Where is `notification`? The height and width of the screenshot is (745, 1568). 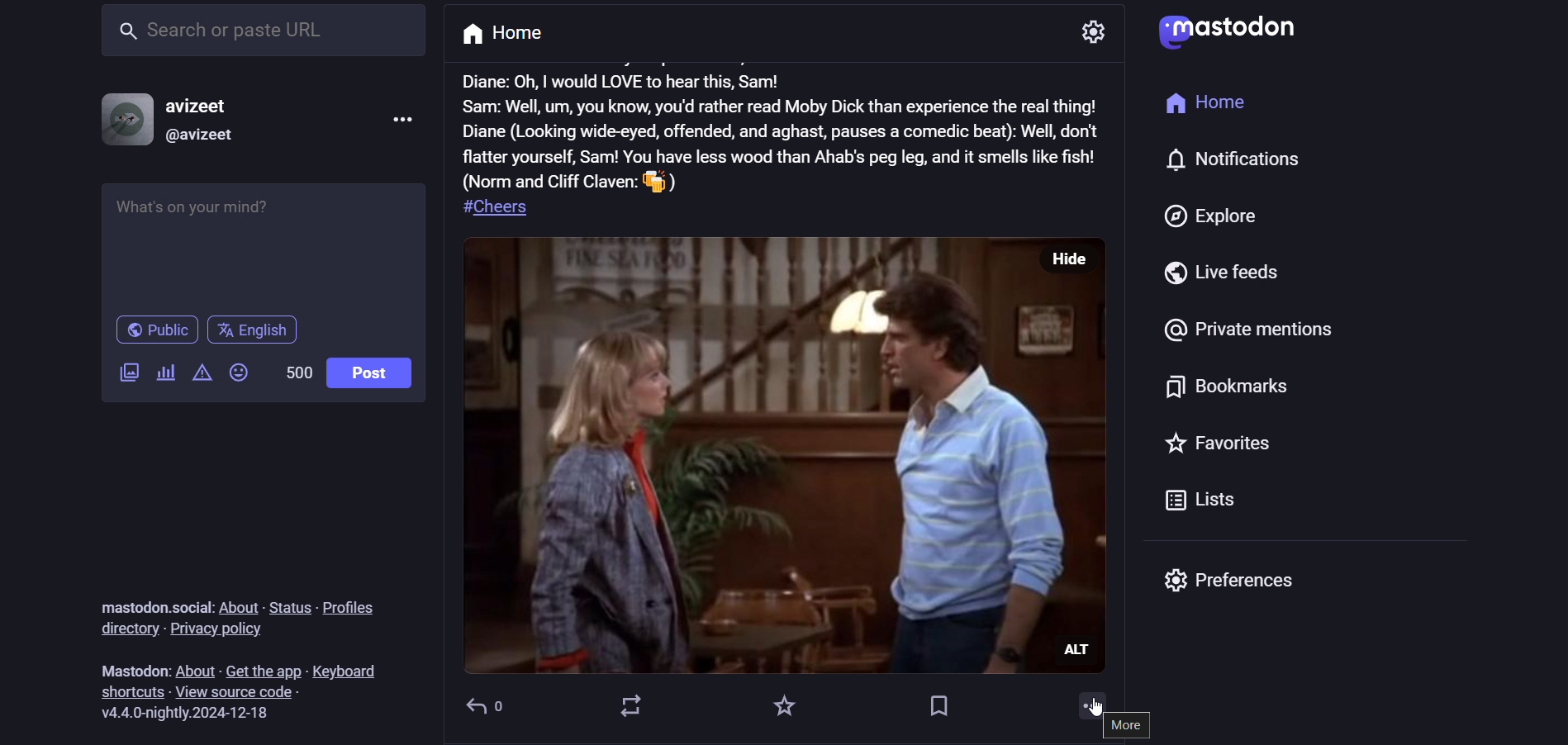 notification is located at coordinates (1258, 163).